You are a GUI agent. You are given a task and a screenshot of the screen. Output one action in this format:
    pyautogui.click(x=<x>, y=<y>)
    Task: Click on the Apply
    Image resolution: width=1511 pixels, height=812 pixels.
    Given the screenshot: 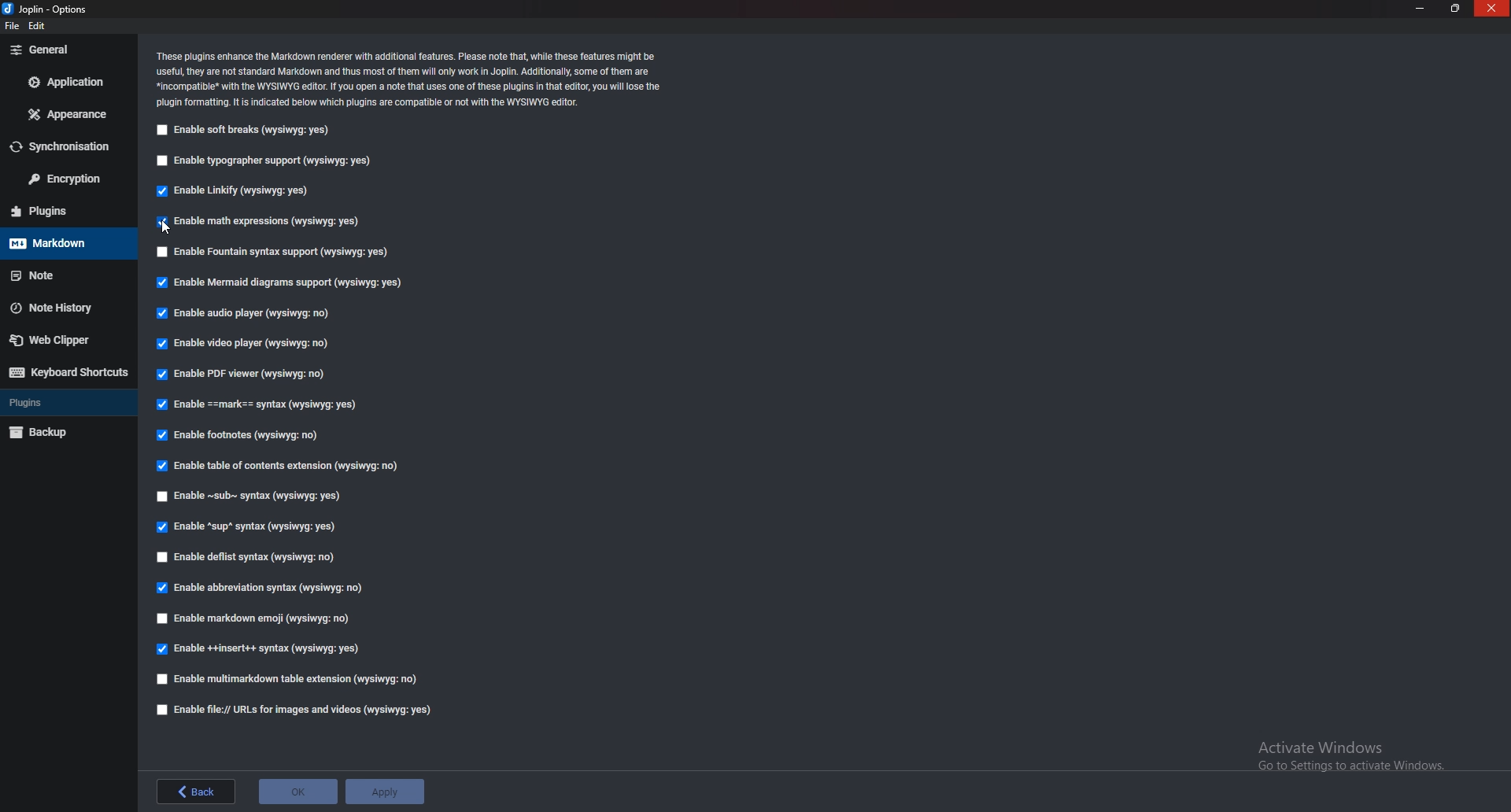 What is the action you would take?
    pyautogui.click(x=384, y=791)
    